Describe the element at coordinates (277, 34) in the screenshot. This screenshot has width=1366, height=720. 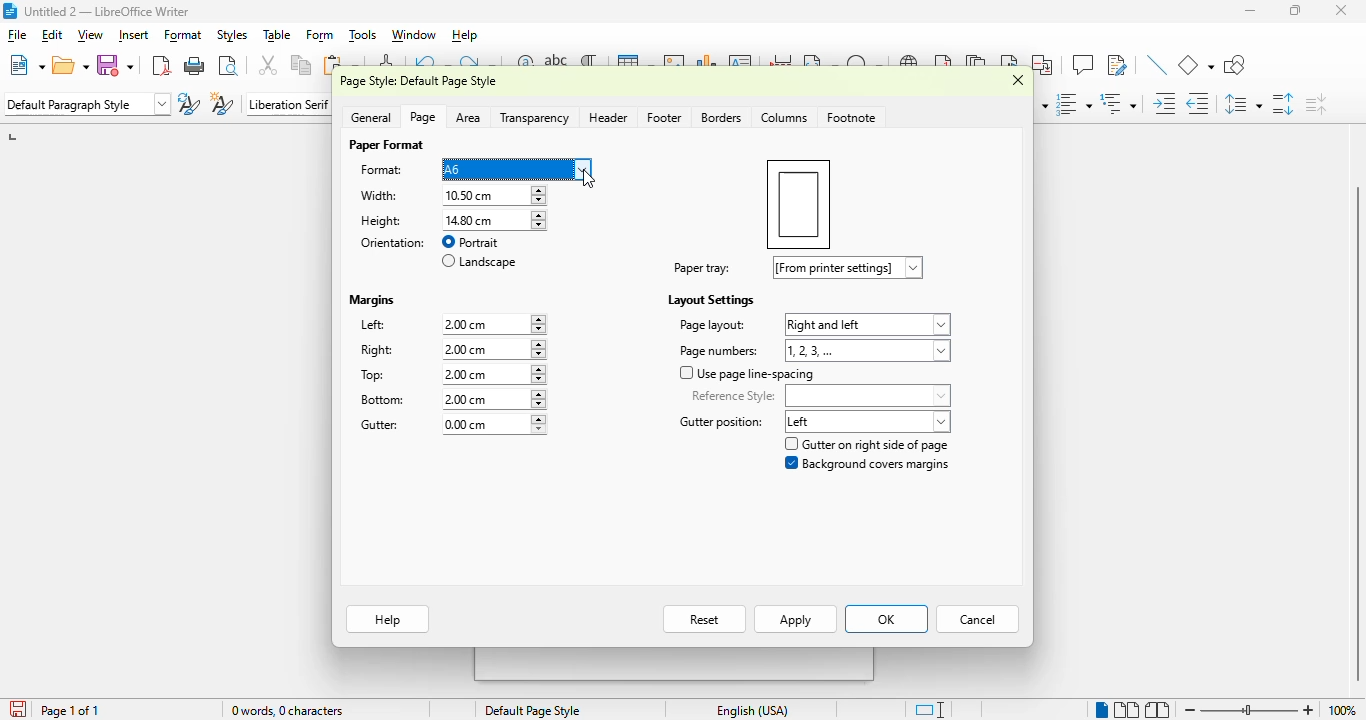
I see `table` at that location.